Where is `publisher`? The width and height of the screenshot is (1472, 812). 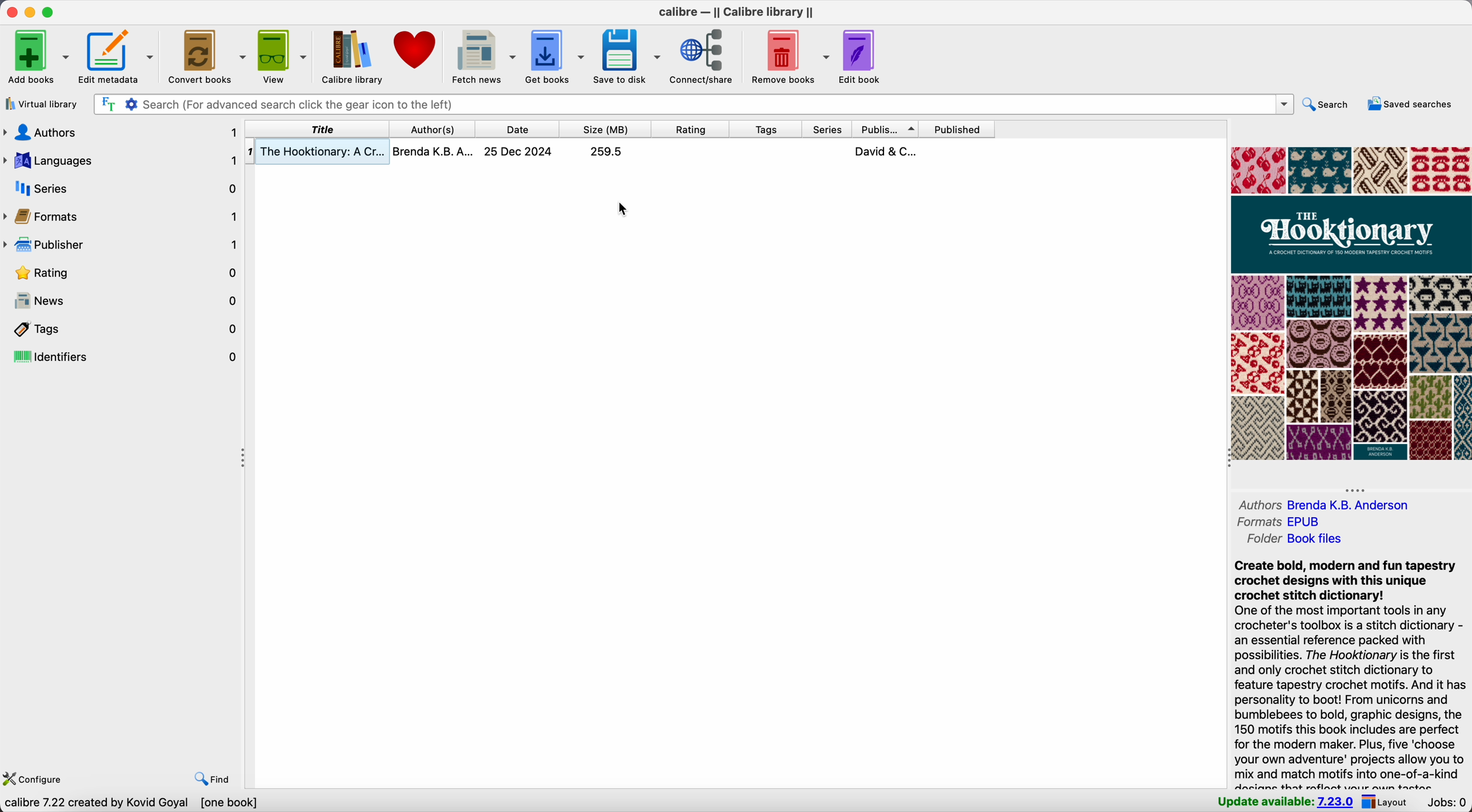
publisher is located at coordinates (122, 247).